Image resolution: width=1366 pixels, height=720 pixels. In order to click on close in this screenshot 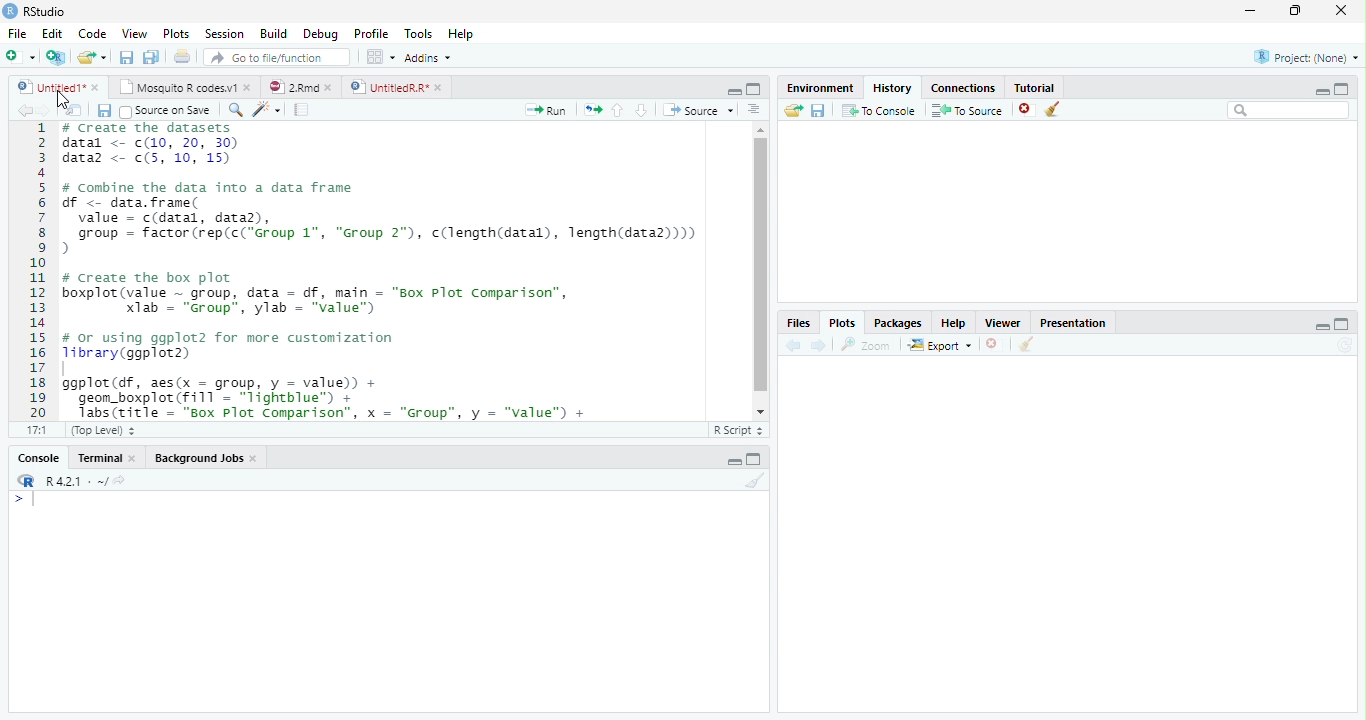, I will do `click(328, 87)`.